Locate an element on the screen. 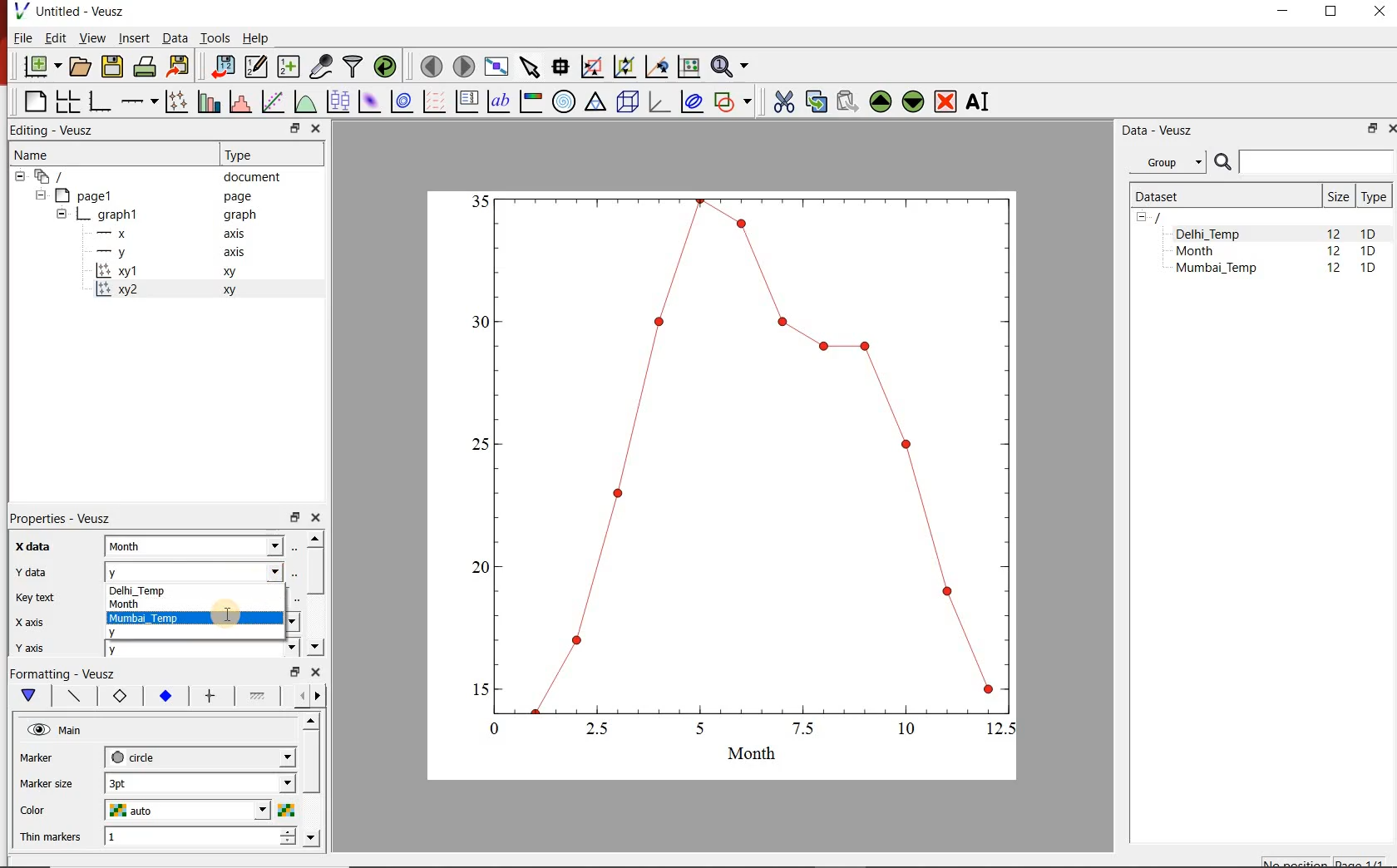 The height and width of the screenshot is (868, 1397). 12 is located at coordinates (1335, 270).